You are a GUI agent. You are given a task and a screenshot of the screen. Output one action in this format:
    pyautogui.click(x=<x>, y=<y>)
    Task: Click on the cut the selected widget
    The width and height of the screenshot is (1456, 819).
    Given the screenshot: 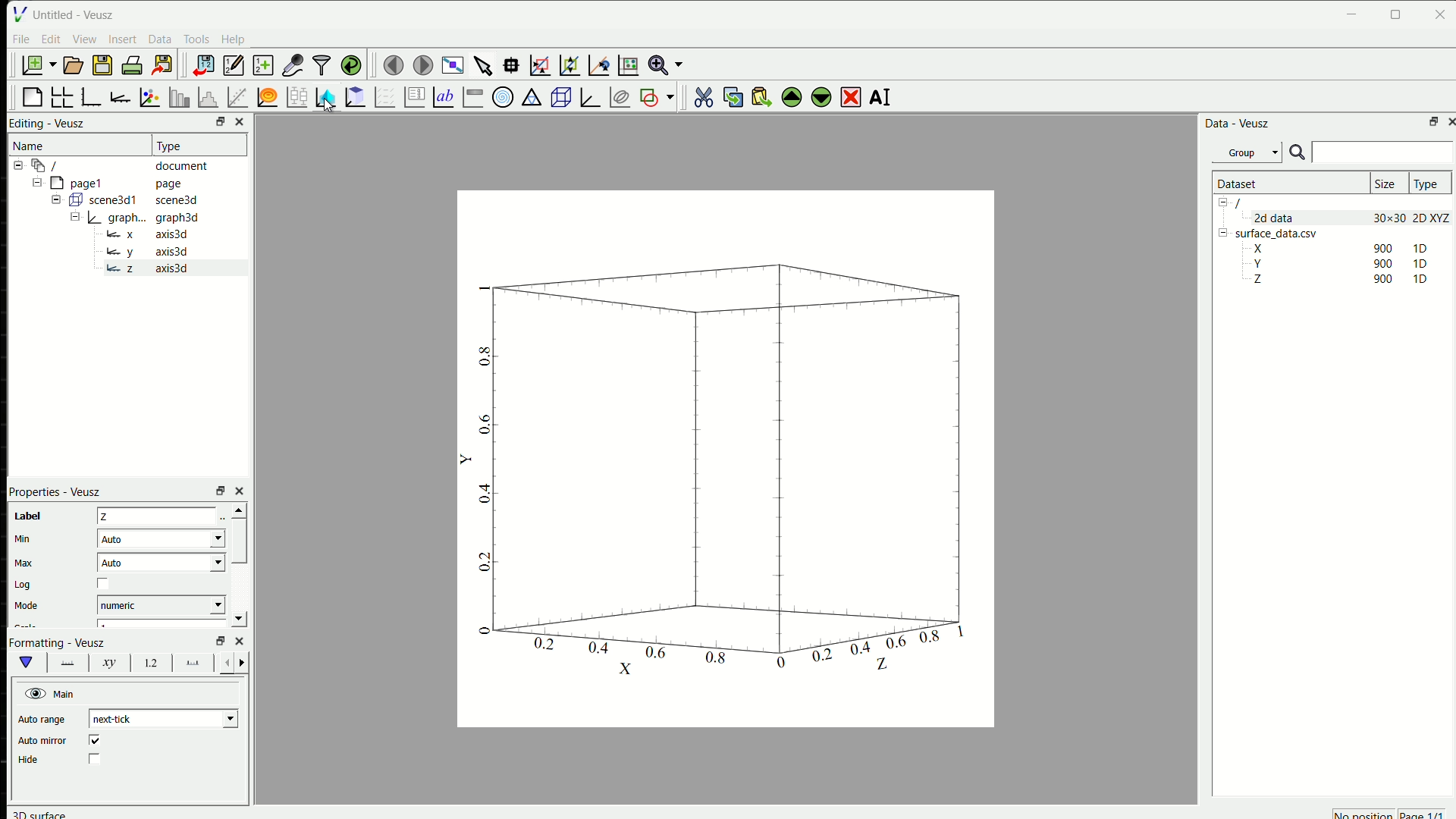 What is the action you would take?
    pyautogui.click(x=704, y=96)
    